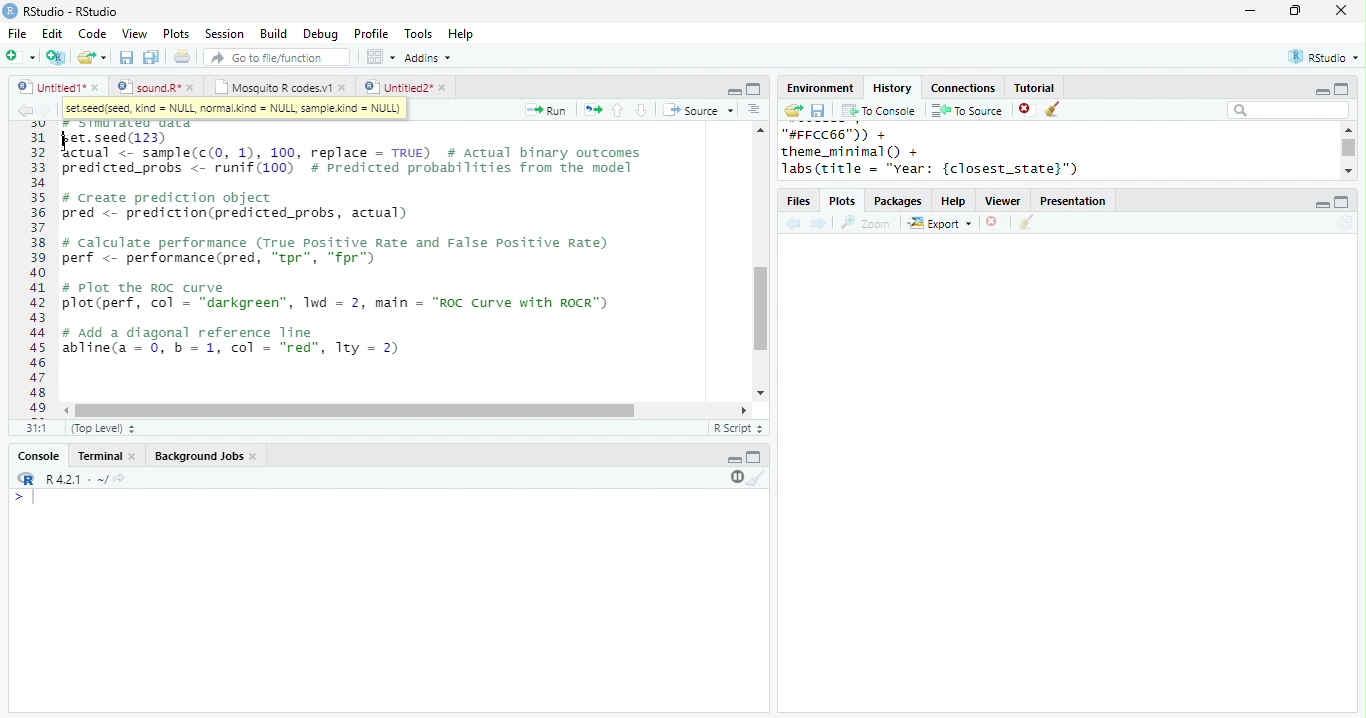 The image size is (1366, 718). Describe the element at coordinates (44, 110) in the screenshot. I see `forward` at that location.